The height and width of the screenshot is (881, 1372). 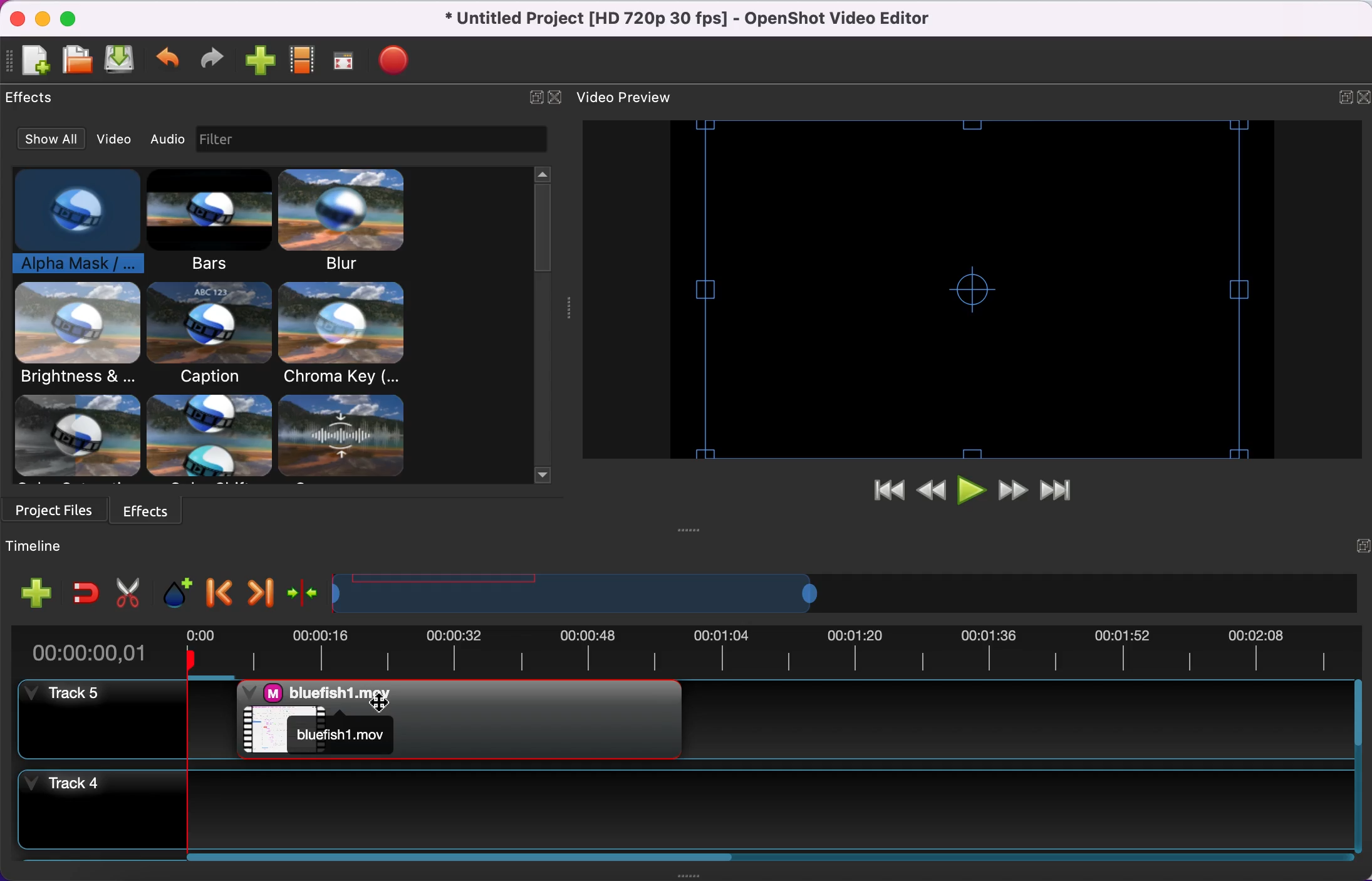 What do you see at coordinates (211, 63) in the screenshot?
I see `redo` at bounding box center [211, 63].